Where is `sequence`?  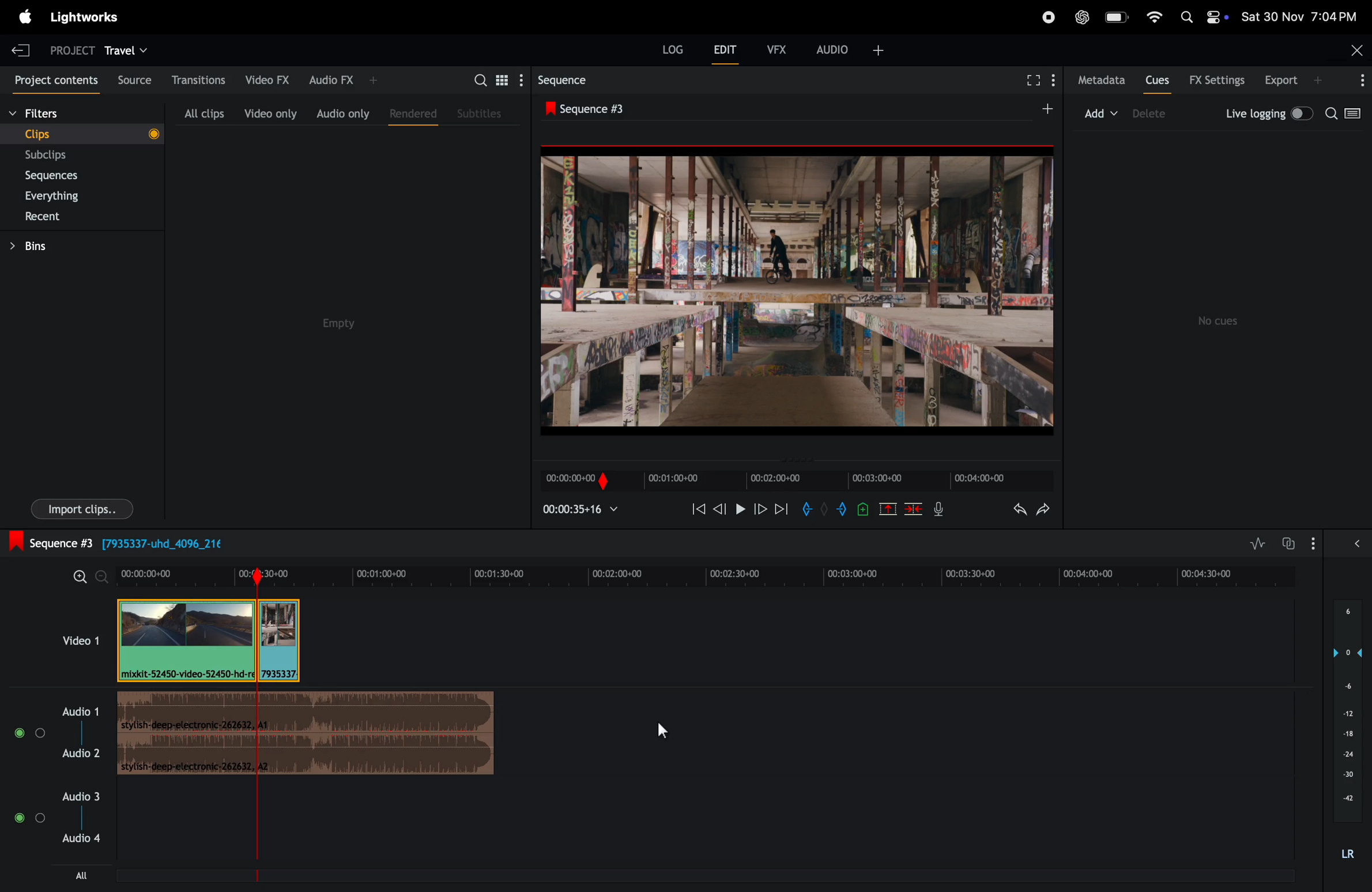
sequence is located at coordinates (563, 78).